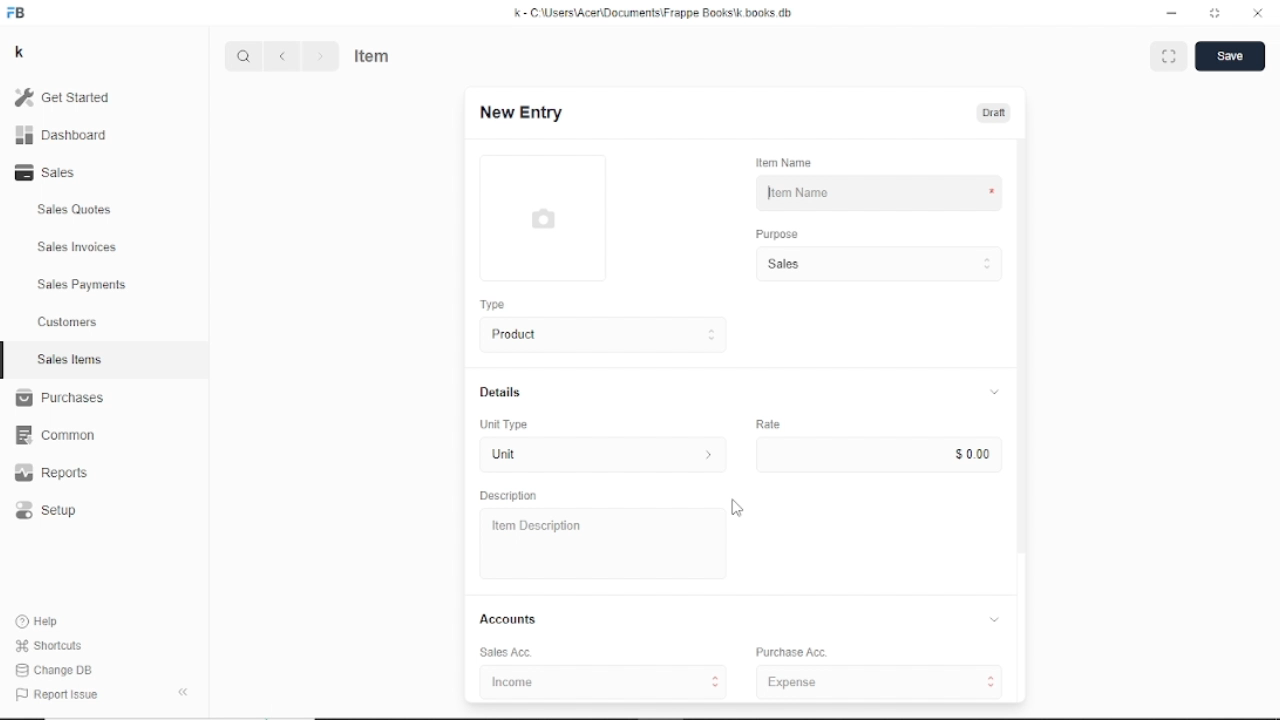  What do you see at coordinates (71, 97) in the screenshot?
I see `Get started` at bounding box center [71, 97].